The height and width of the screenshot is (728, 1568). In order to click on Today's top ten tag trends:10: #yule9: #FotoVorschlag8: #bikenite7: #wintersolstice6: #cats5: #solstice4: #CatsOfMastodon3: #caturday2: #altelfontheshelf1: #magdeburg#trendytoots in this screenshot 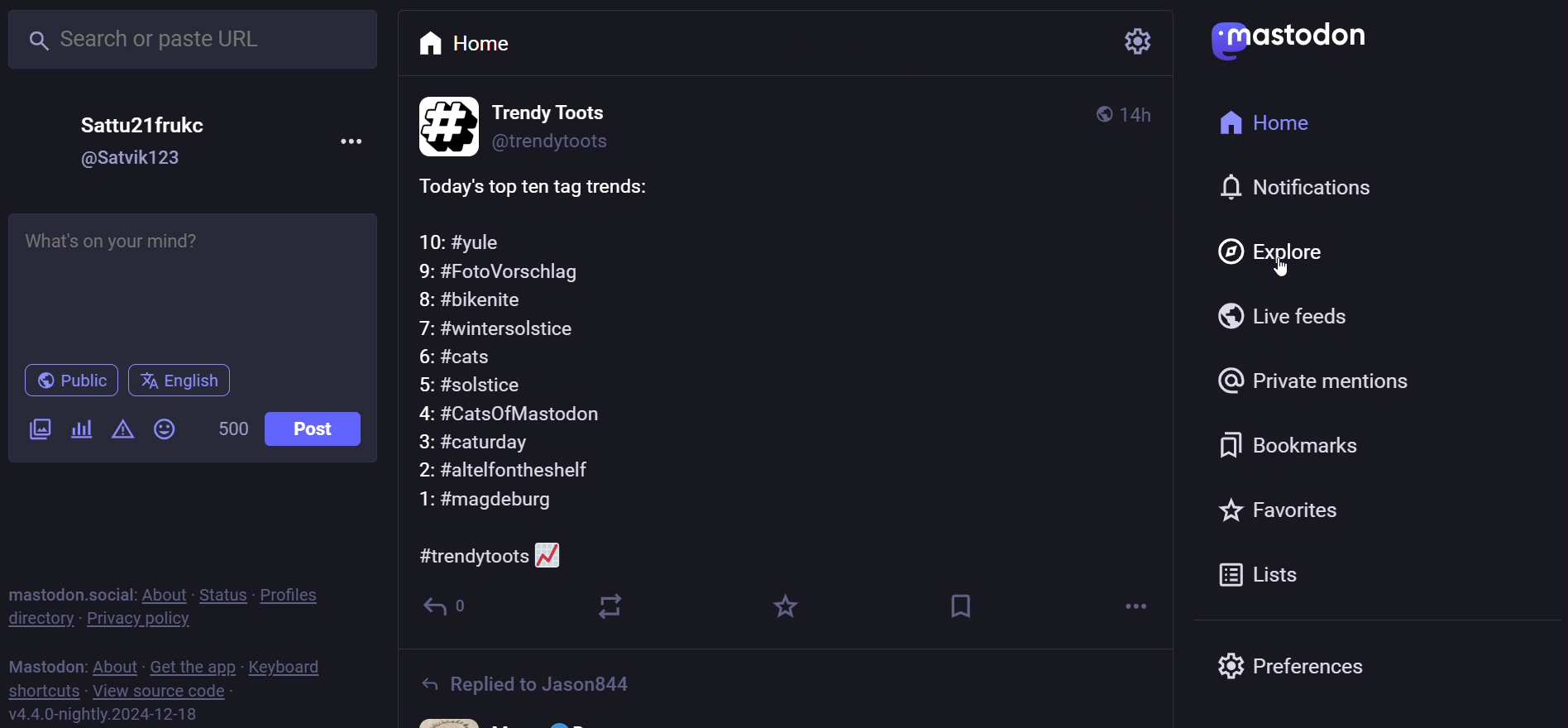, I will do `click(800, 367)`.